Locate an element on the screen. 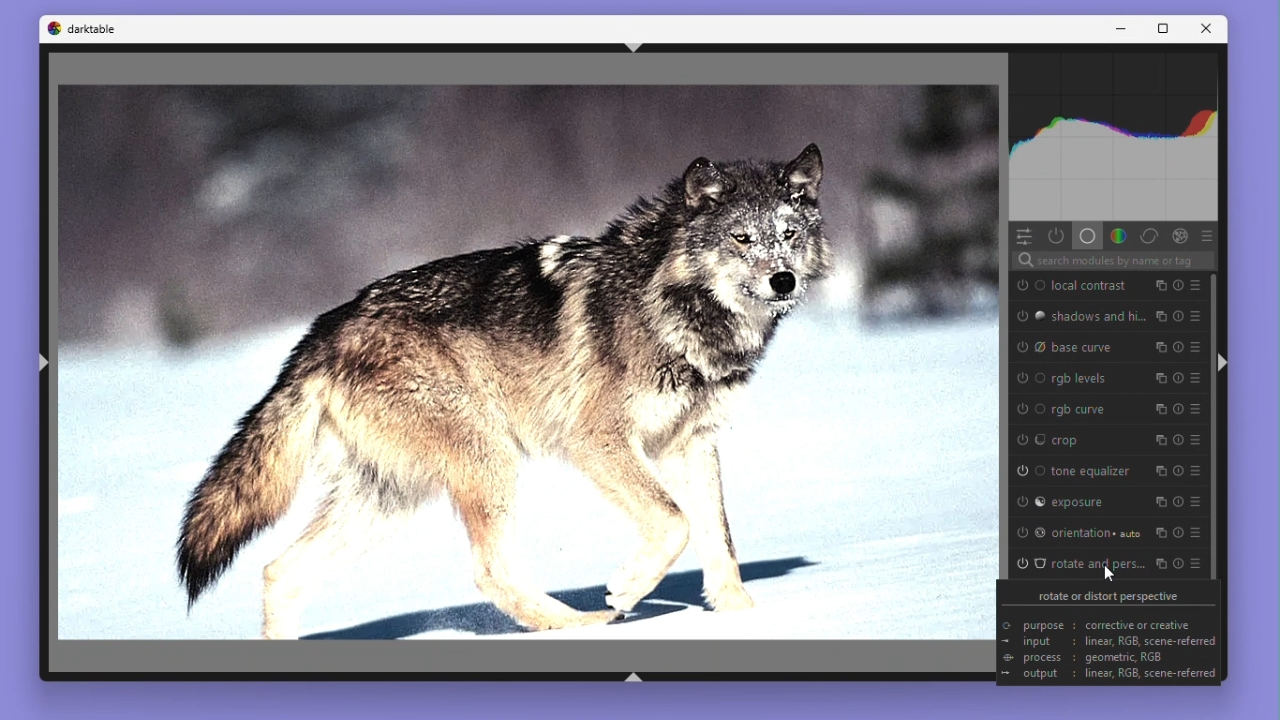 The width and height of the screenshot is (1280, 720). Crop  is located at coordinates (1108, 438).